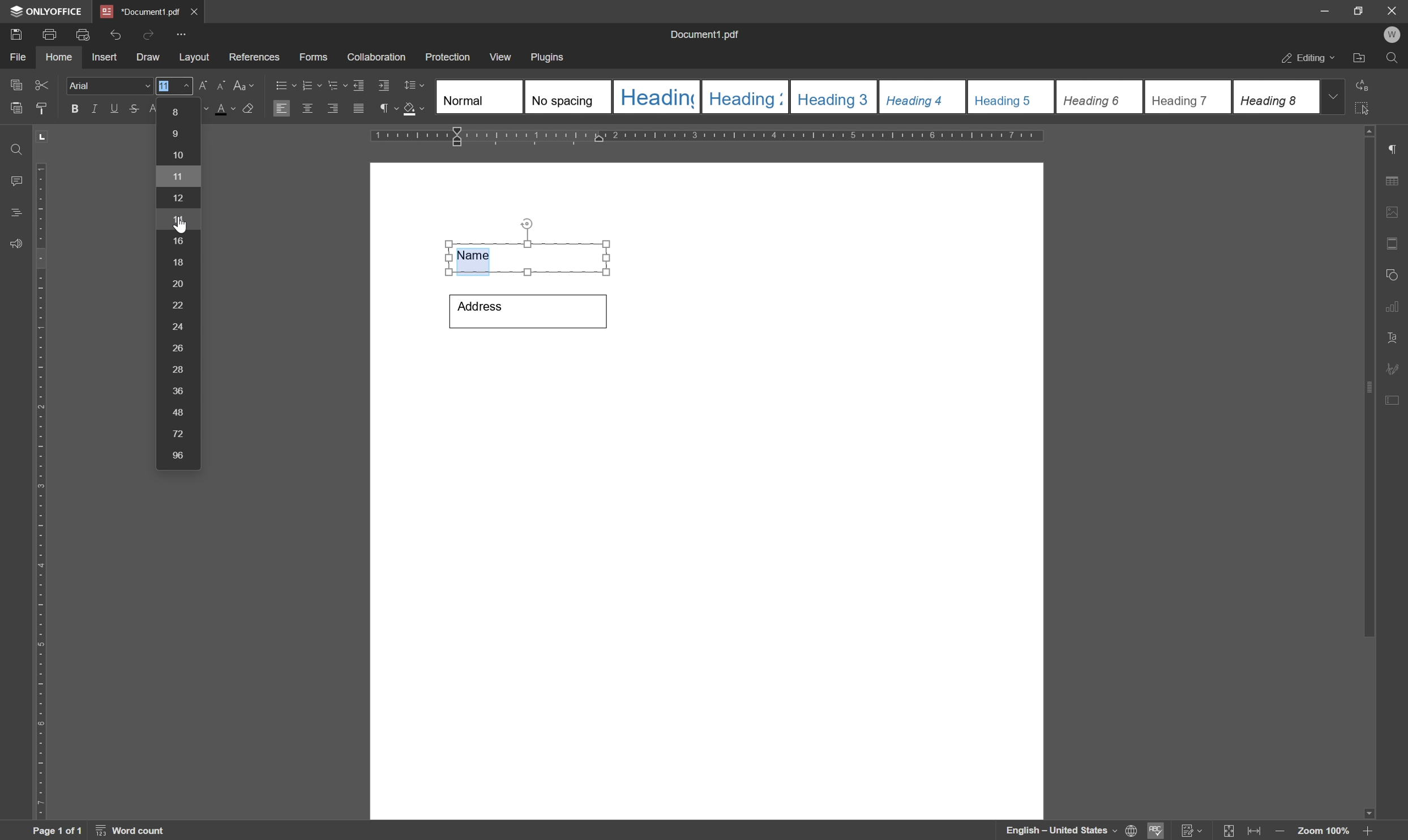 The width and height of the screenshot is (1408, 840). I want to click on font size, so click(165, 85).